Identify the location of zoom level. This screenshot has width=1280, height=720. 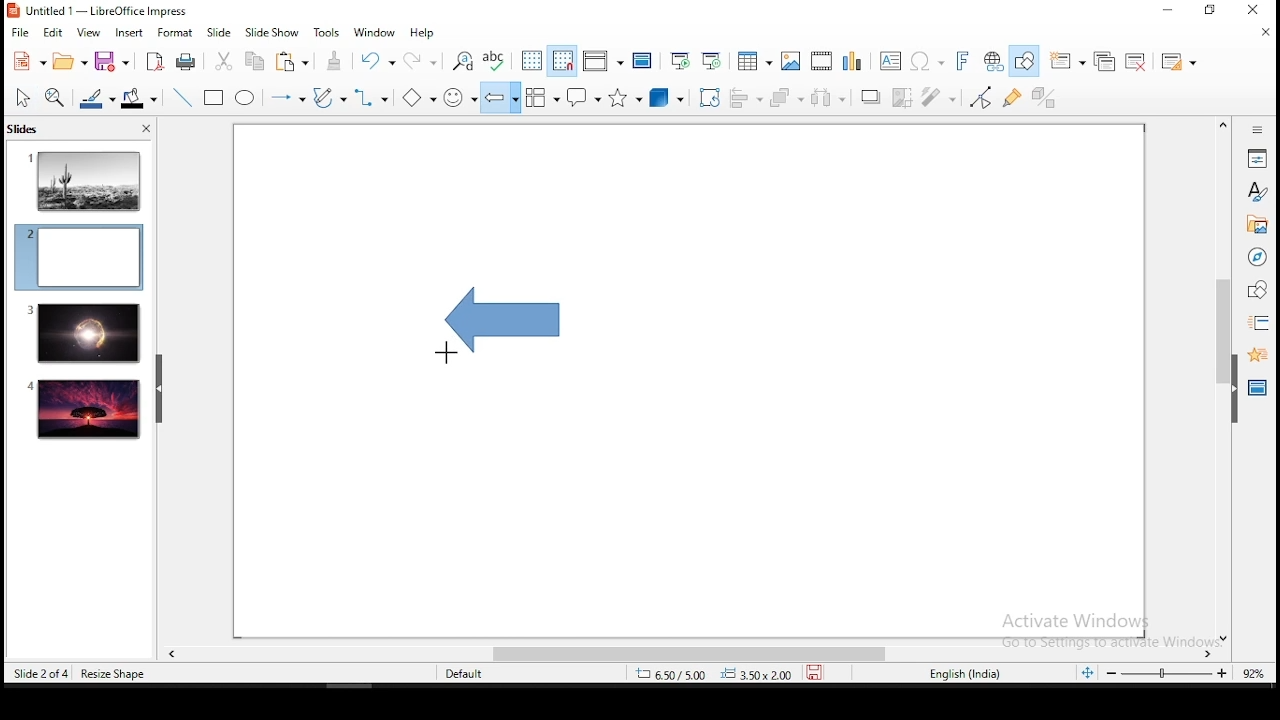
(1254, 672).